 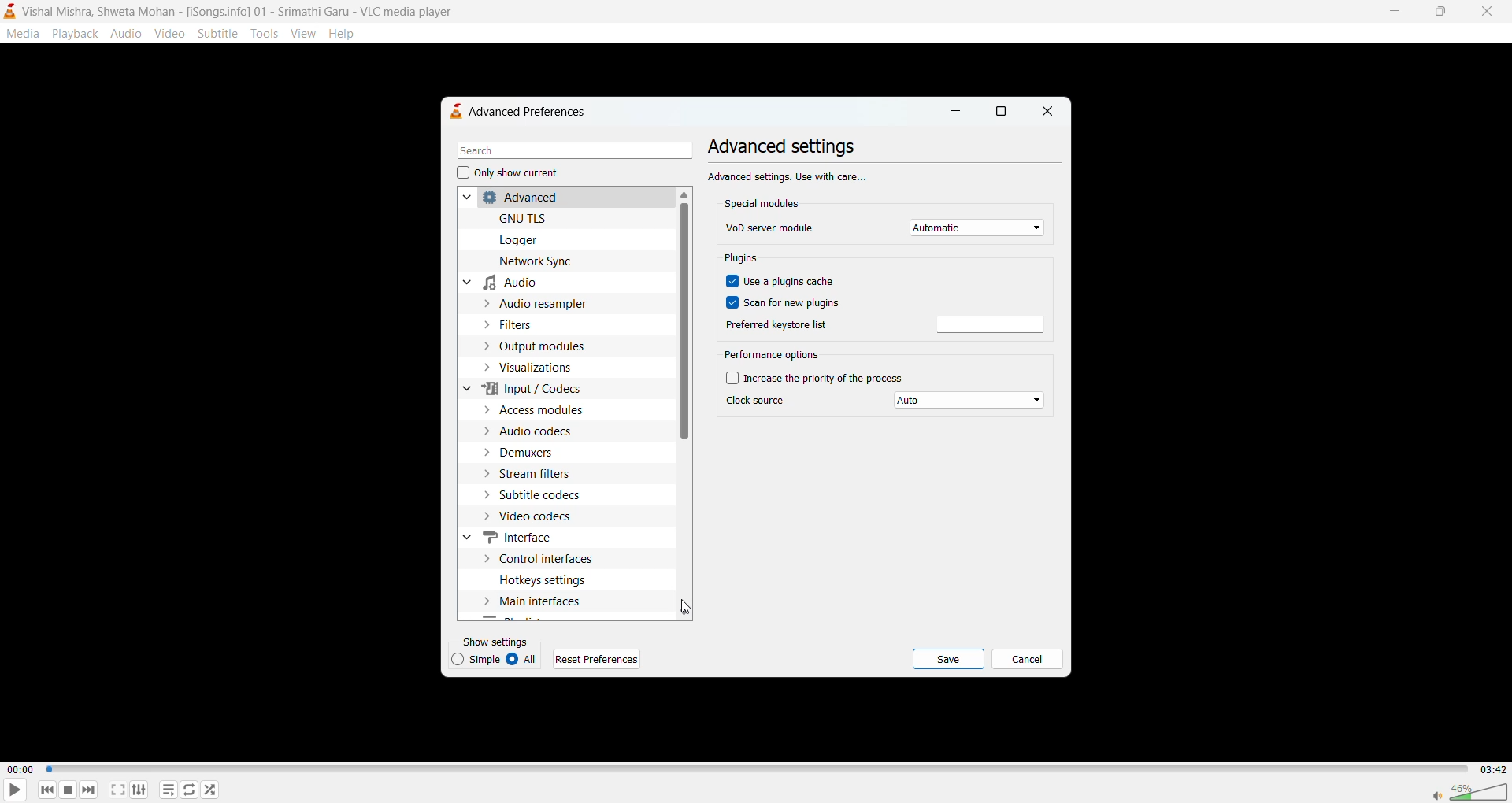 I want to click on gnu tls, so click(x=529, y=216).